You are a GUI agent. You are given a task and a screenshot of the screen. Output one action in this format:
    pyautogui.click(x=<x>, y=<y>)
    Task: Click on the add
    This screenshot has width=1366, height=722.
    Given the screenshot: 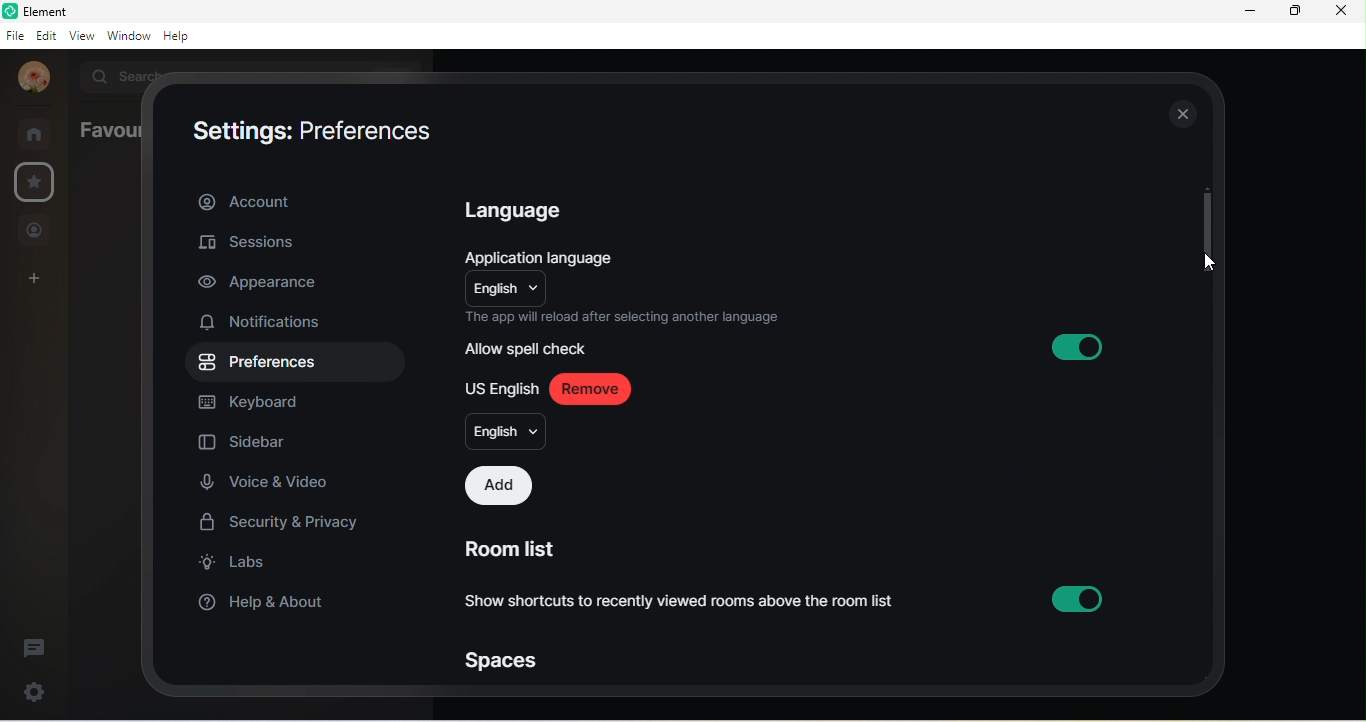 What is the action you would take?
    pyautogui.click(x=497, y=485)
    